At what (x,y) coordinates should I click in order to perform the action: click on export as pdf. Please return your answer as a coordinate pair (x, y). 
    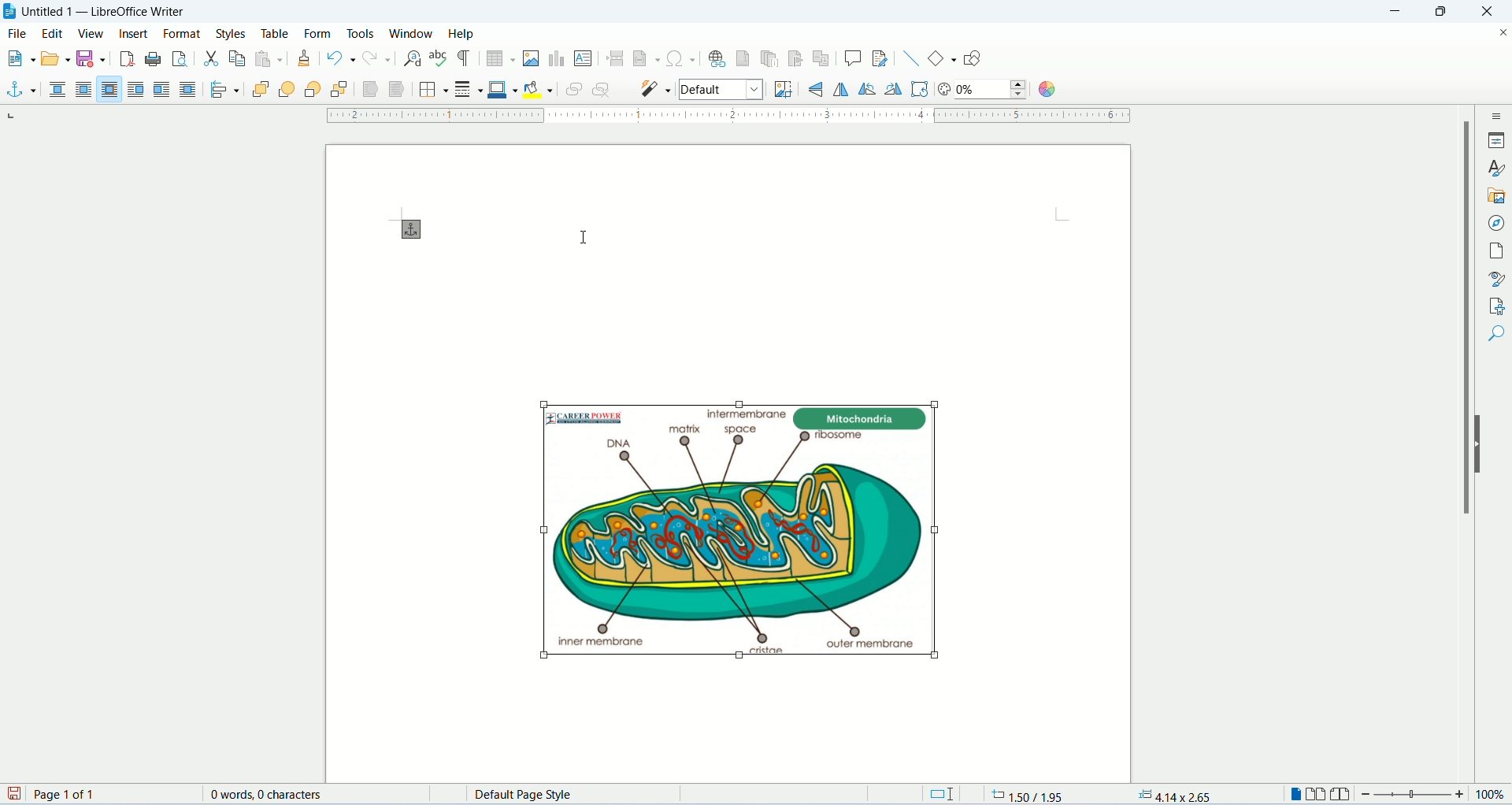
    Looking at the image, I should click on (127, 61).